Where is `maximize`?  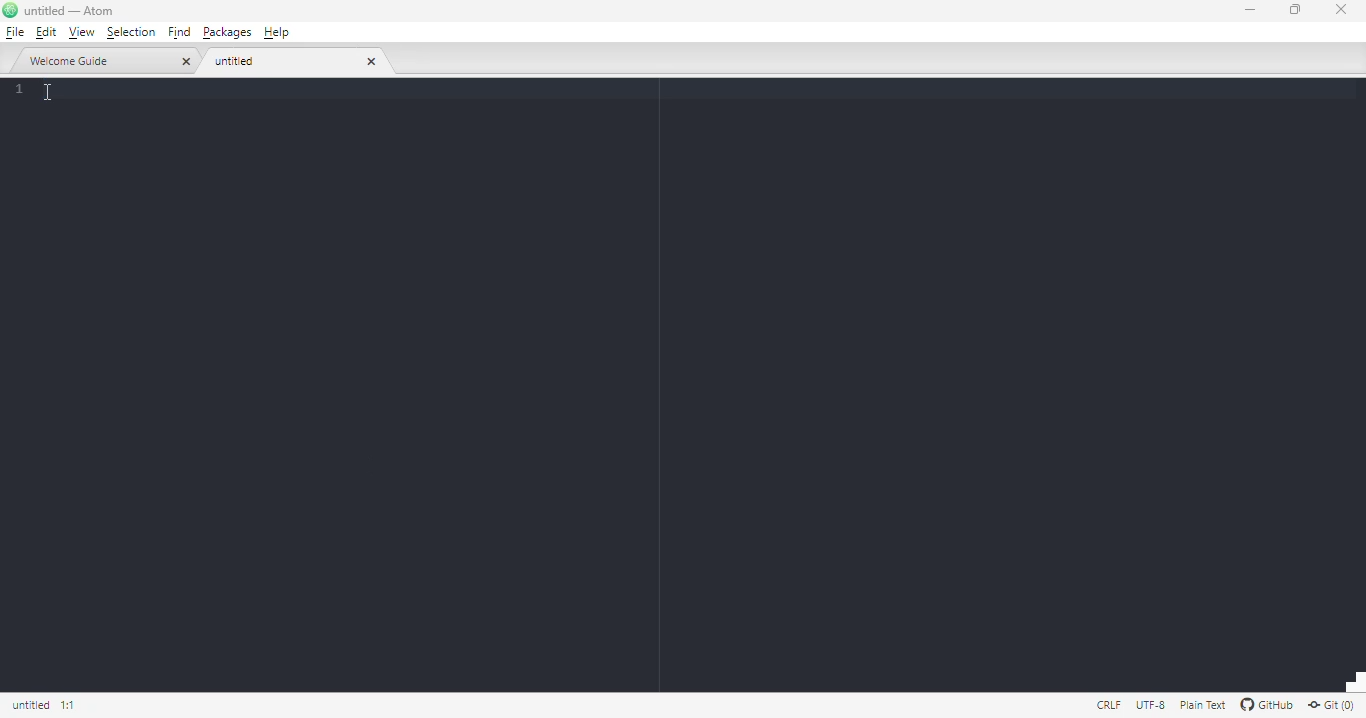
maximize is located at coordinates (1294, 8).